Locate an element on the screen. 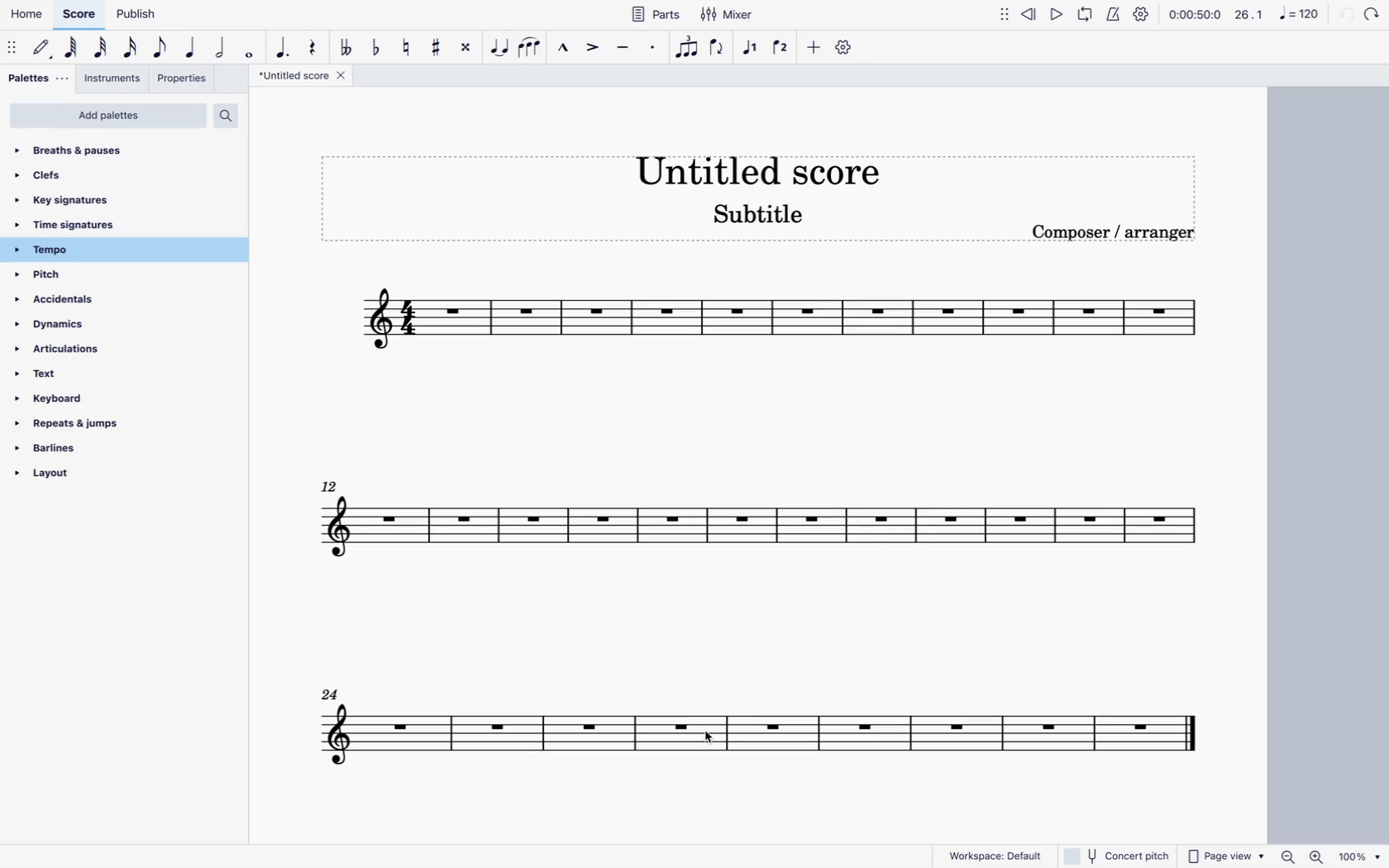  metronome is located at coordinates (1117, 13).